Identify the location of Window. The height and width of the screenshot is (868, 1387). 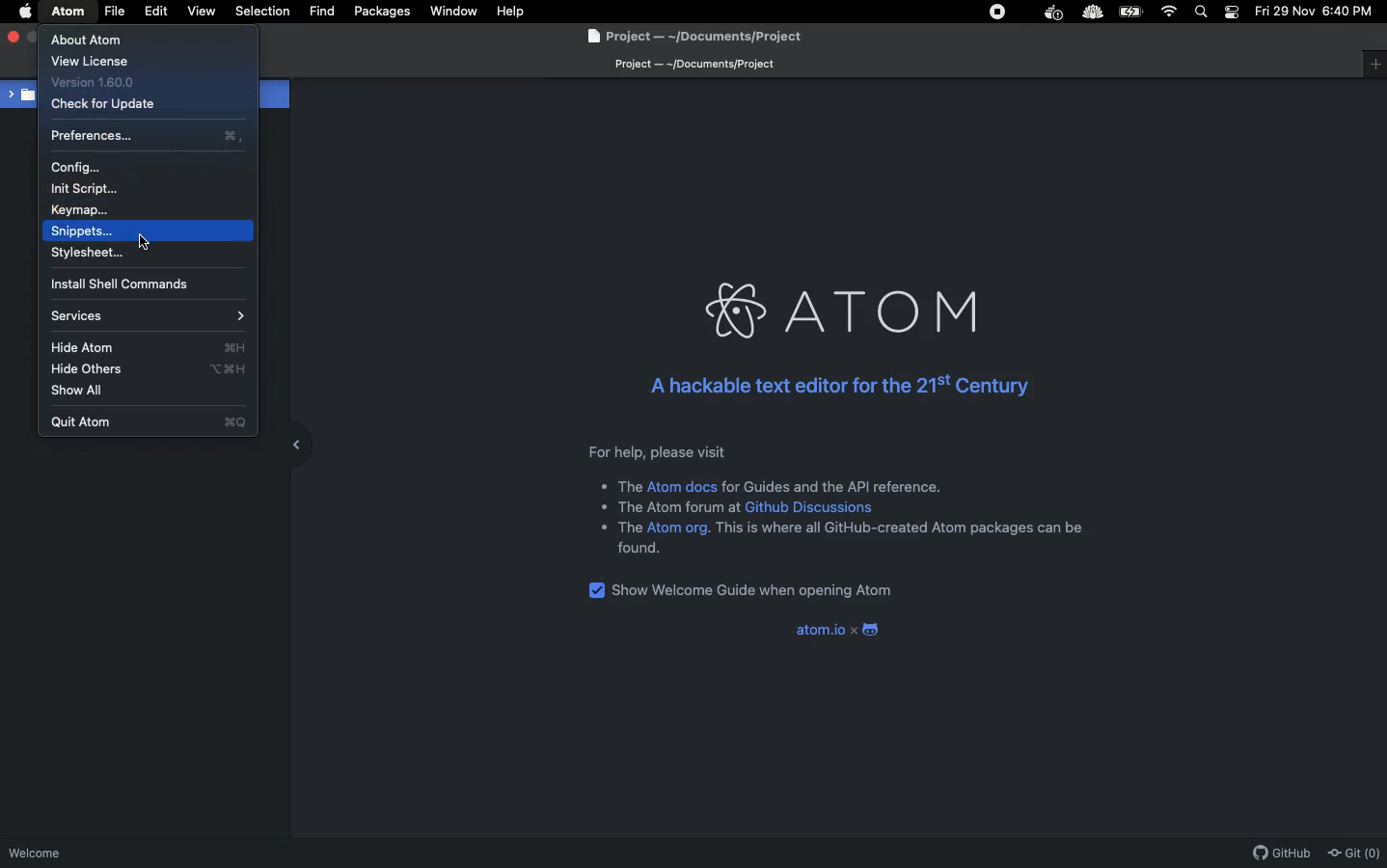
(1374, 65).